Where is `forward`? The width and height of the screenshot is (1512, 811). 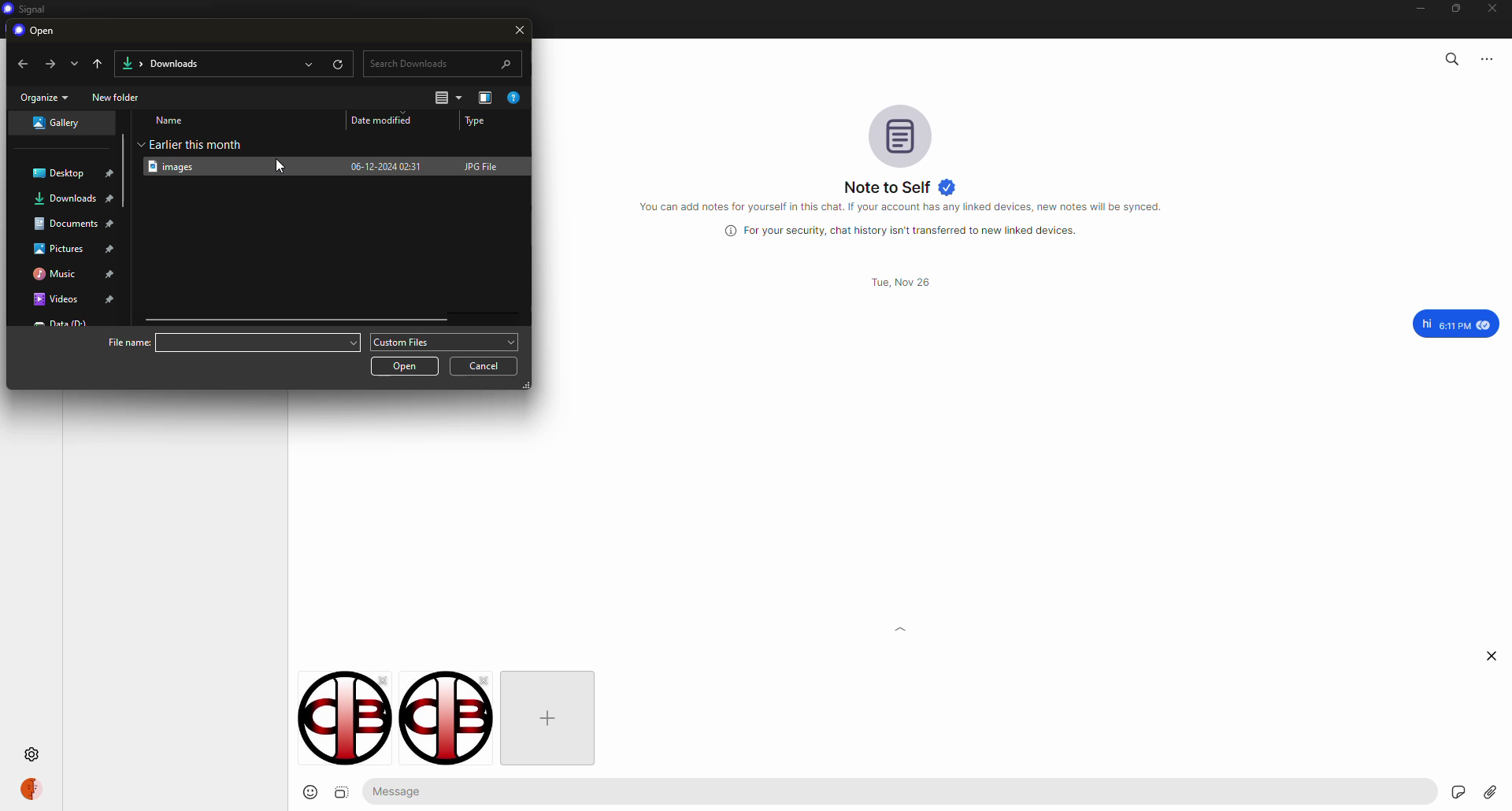
forward is located at coordinates (48, 63).